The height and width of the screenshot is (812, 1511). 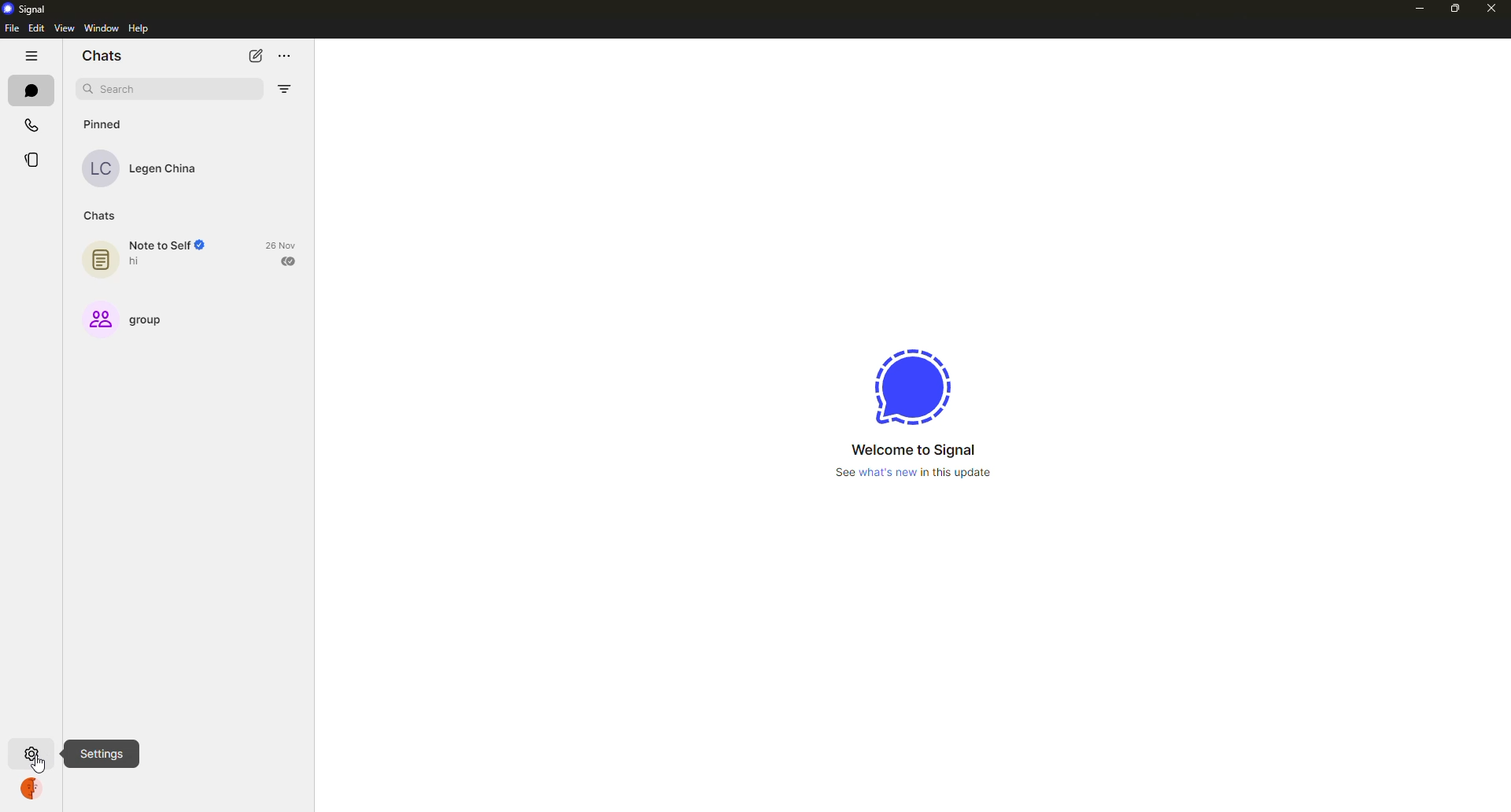 I want to click on pinned, so click(x=102, y=123).